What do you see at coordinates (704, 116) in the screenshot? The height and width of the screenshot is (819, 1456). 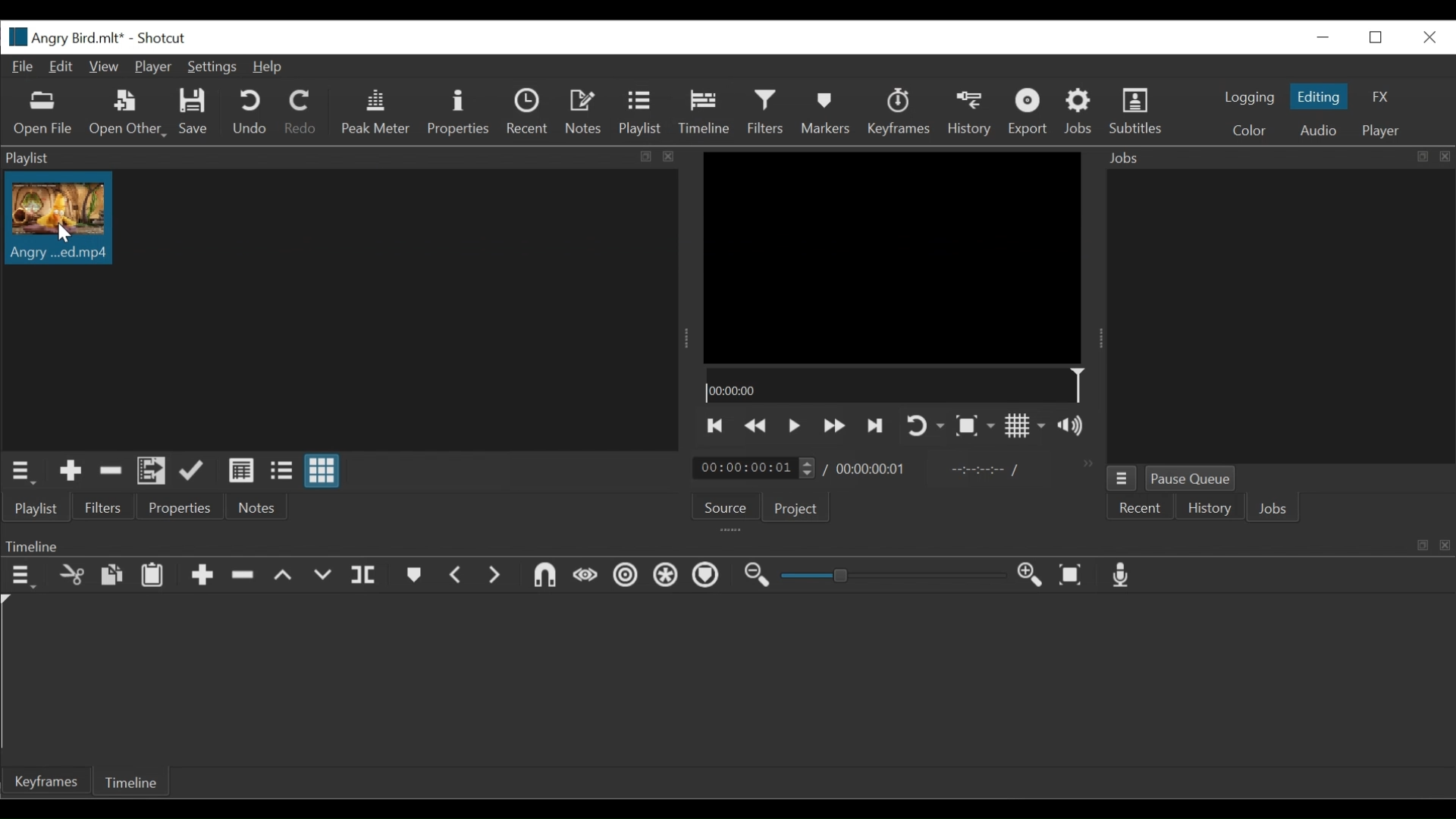 I see `Cursor` at bounding box center [704, 116].